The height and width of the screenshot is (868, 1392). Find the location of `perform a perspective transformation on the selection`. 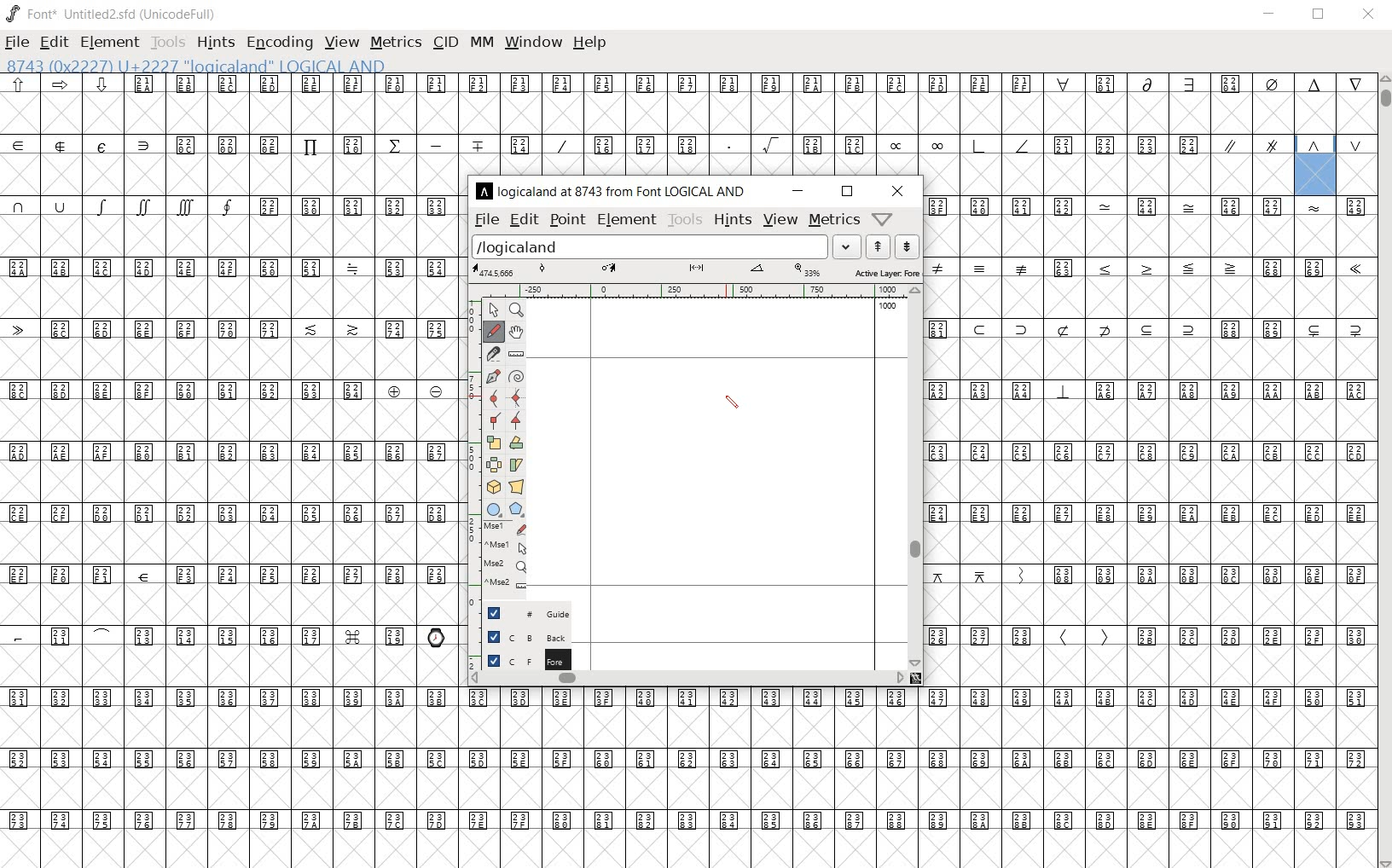

perform a perspective transformation on the selection is located at coordinates (515, 486).